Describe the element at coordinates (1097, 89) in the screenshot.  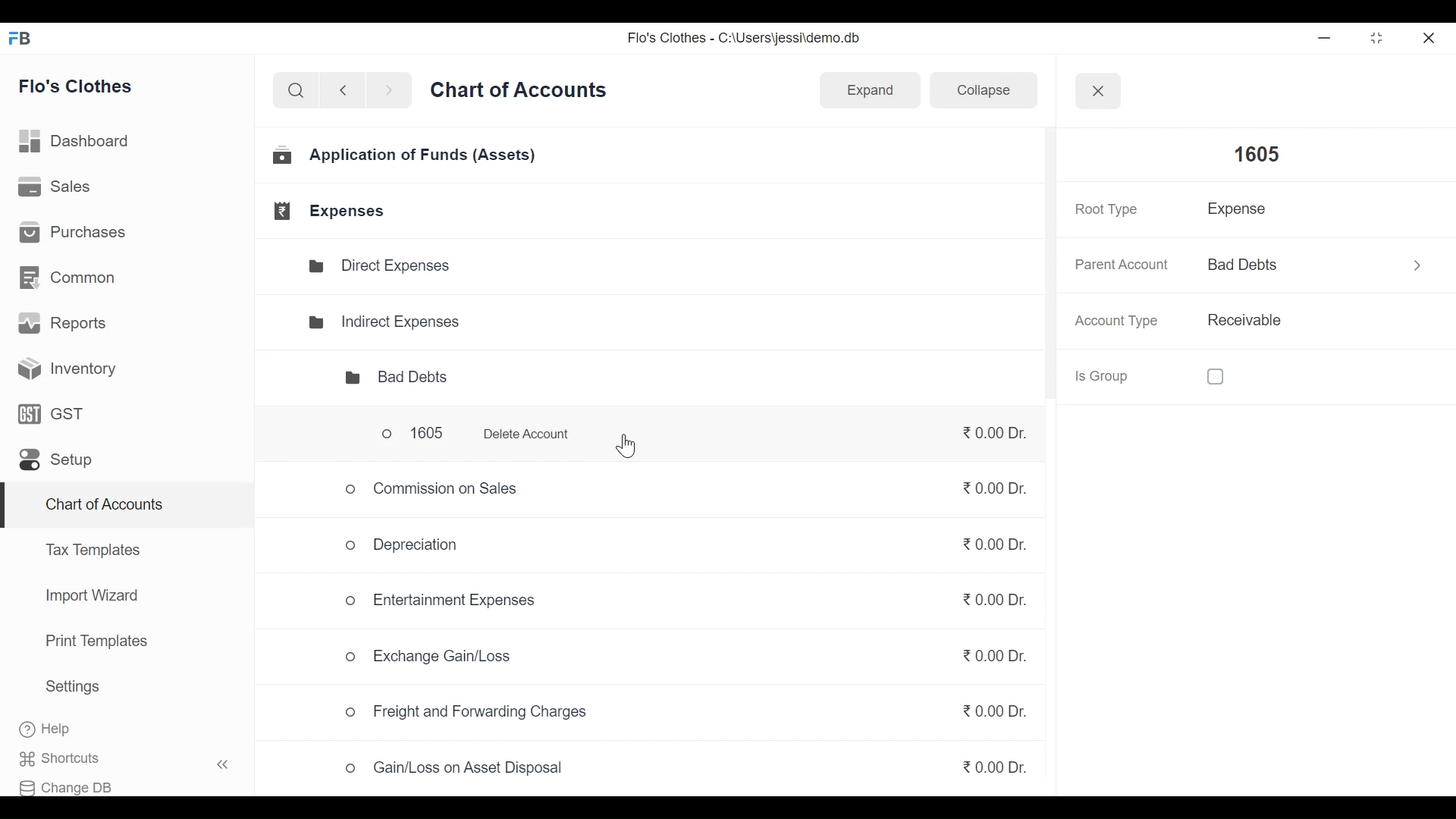
I see `Close` at that location.